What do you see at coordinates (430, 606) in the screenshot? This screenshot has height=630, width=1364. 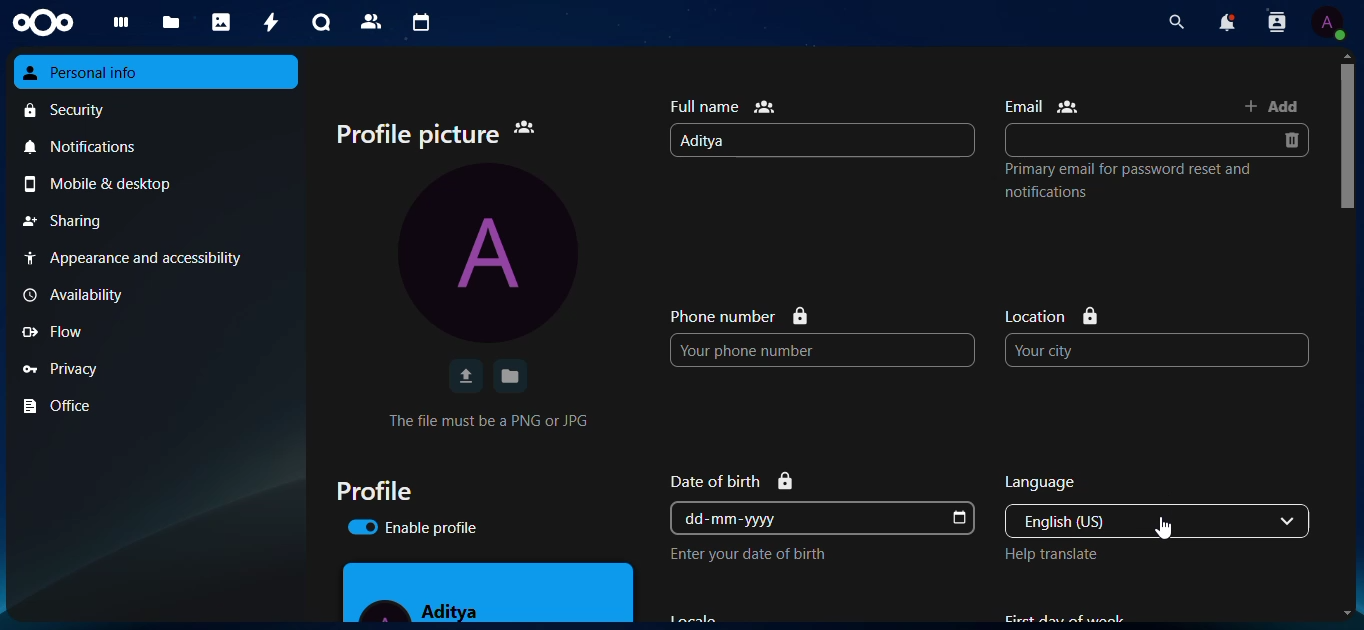 I see `aditya` at bounding box center [430, 606].